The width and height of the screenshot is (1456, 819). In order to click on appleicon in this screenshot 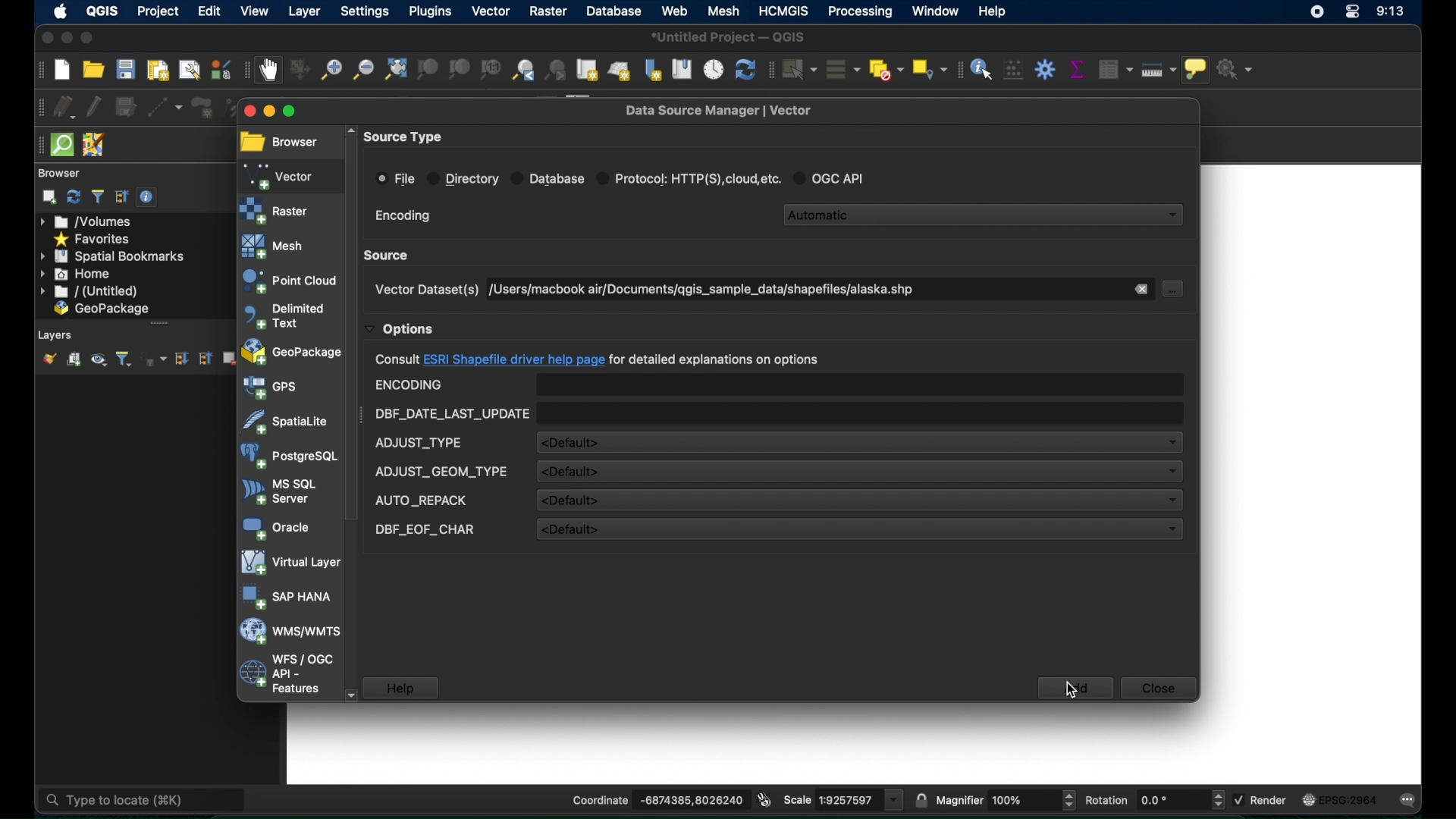, I will do `click(61, 12)`.